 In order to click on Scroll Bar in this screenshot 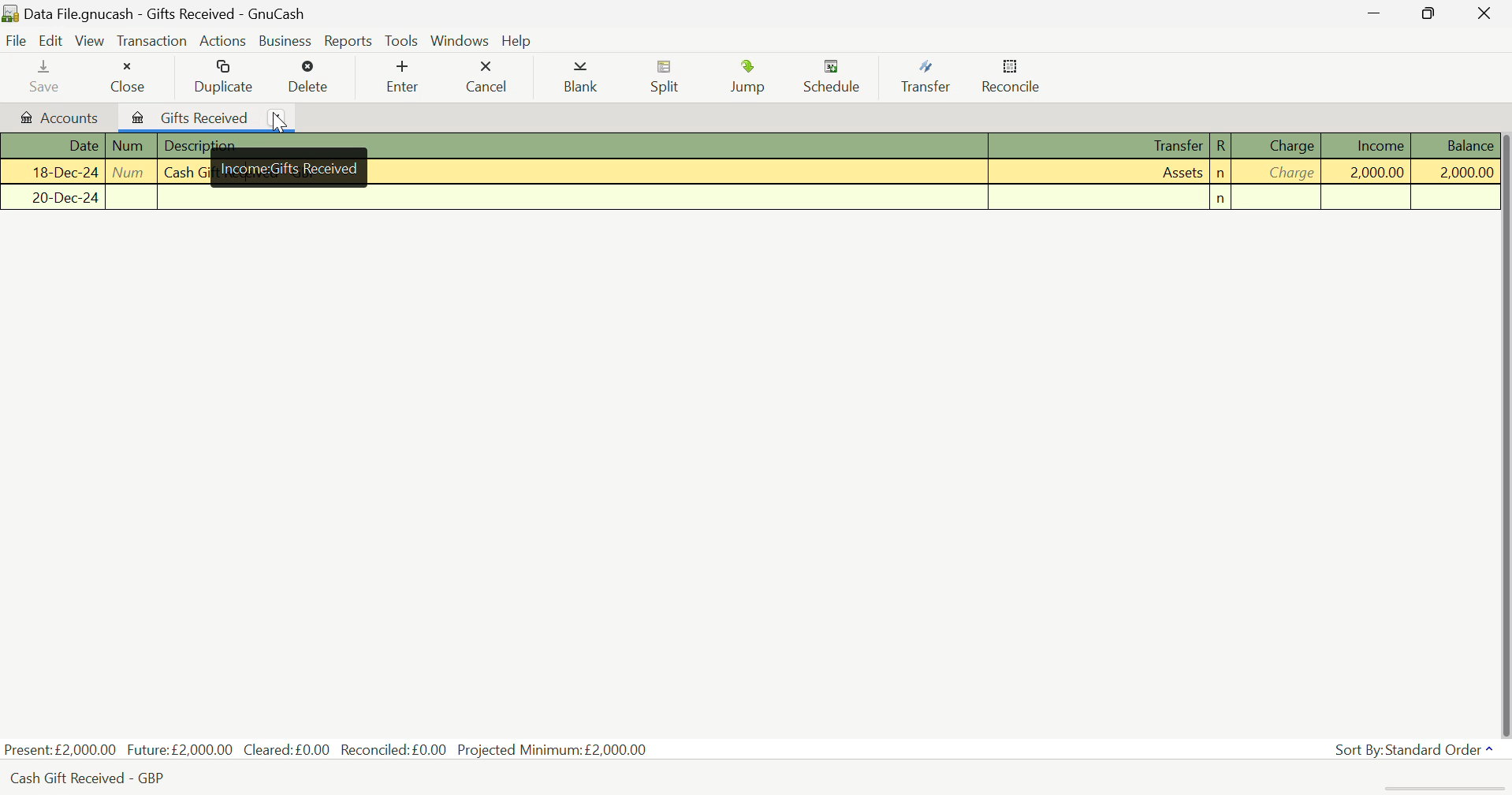, I will do `click(1503, 429)`.